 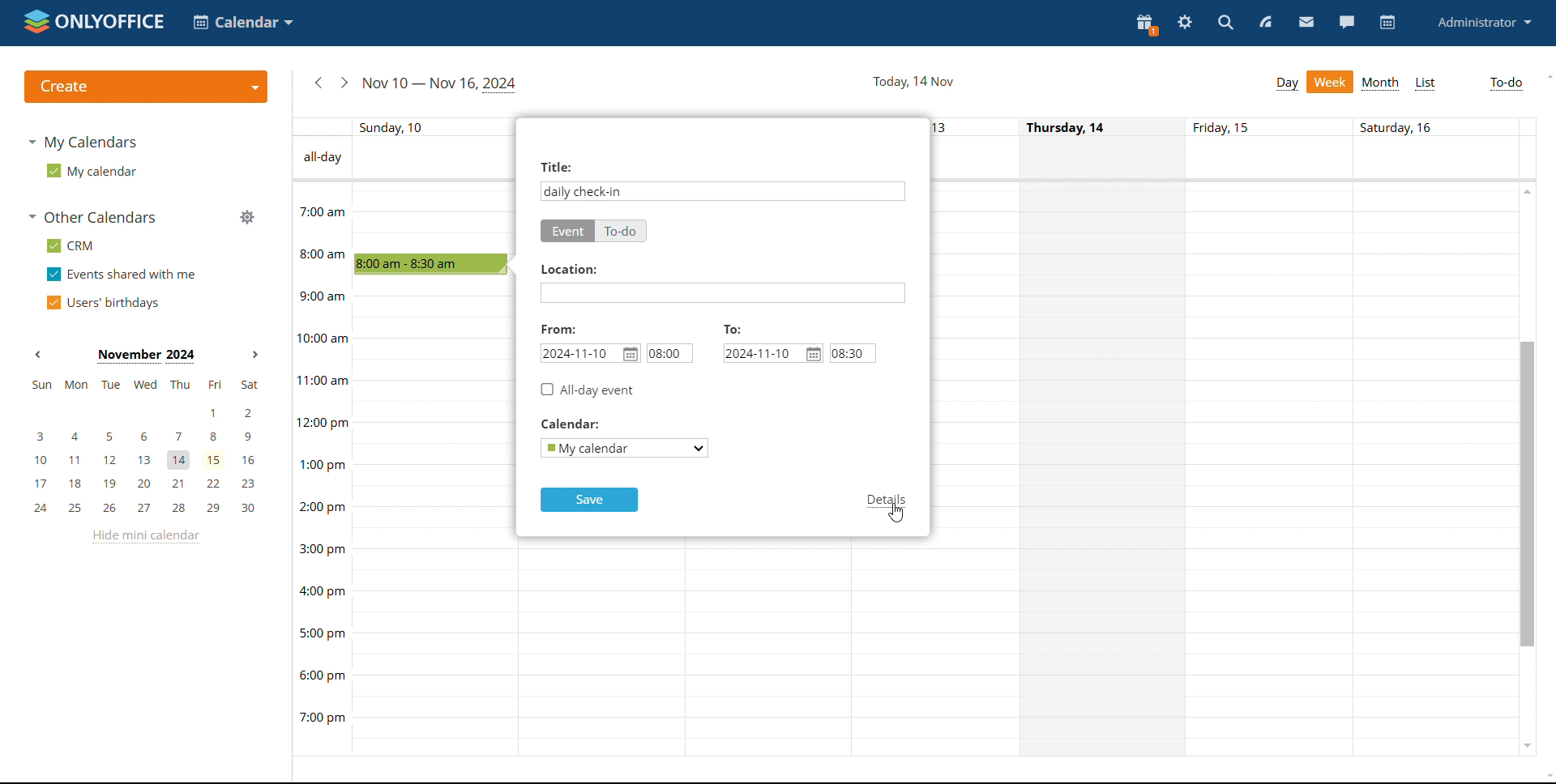 I want to click on mini calendar, so click(x=144, y=445).